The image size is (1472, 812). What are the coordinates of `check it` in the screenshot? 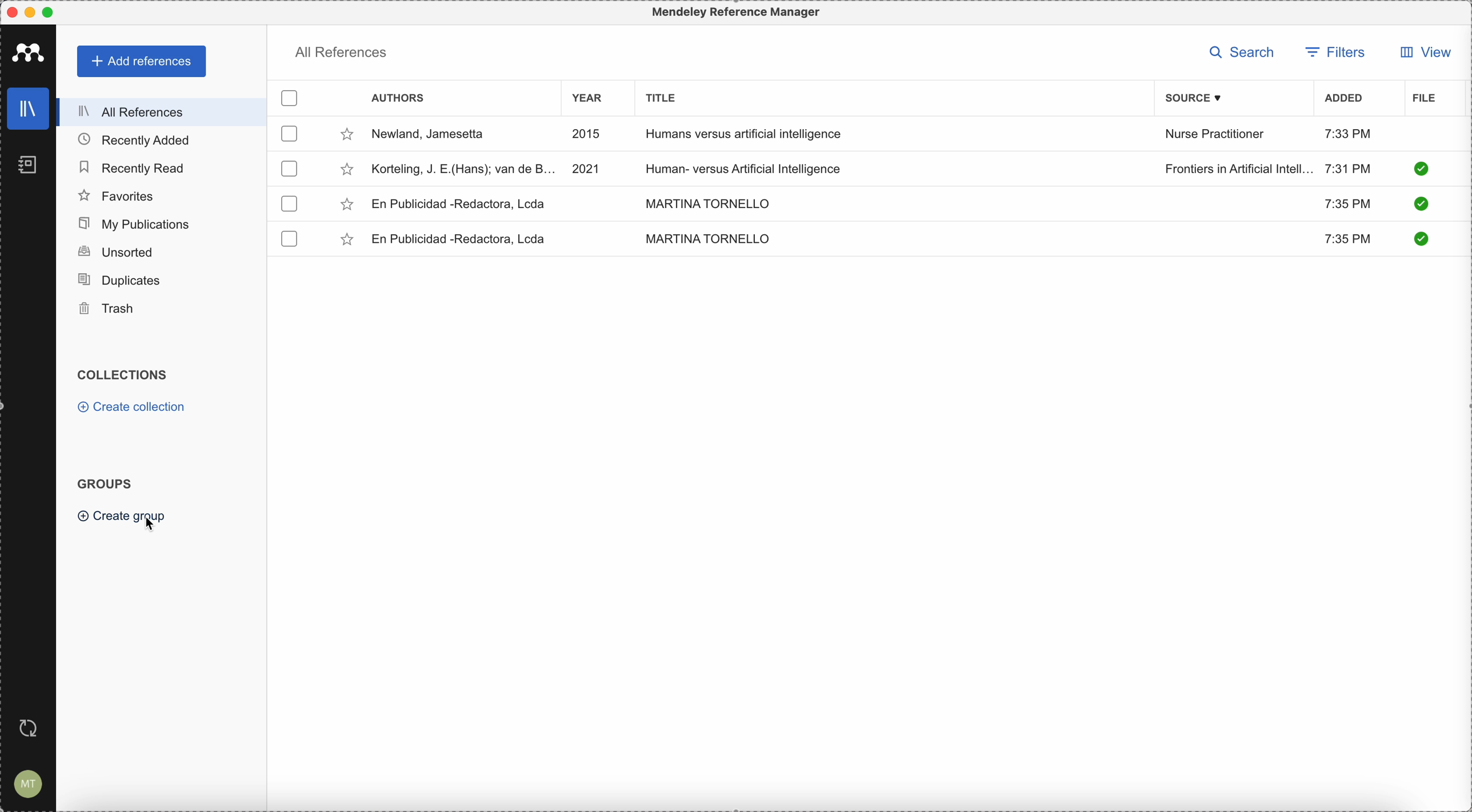 It's located at (1419, 205).